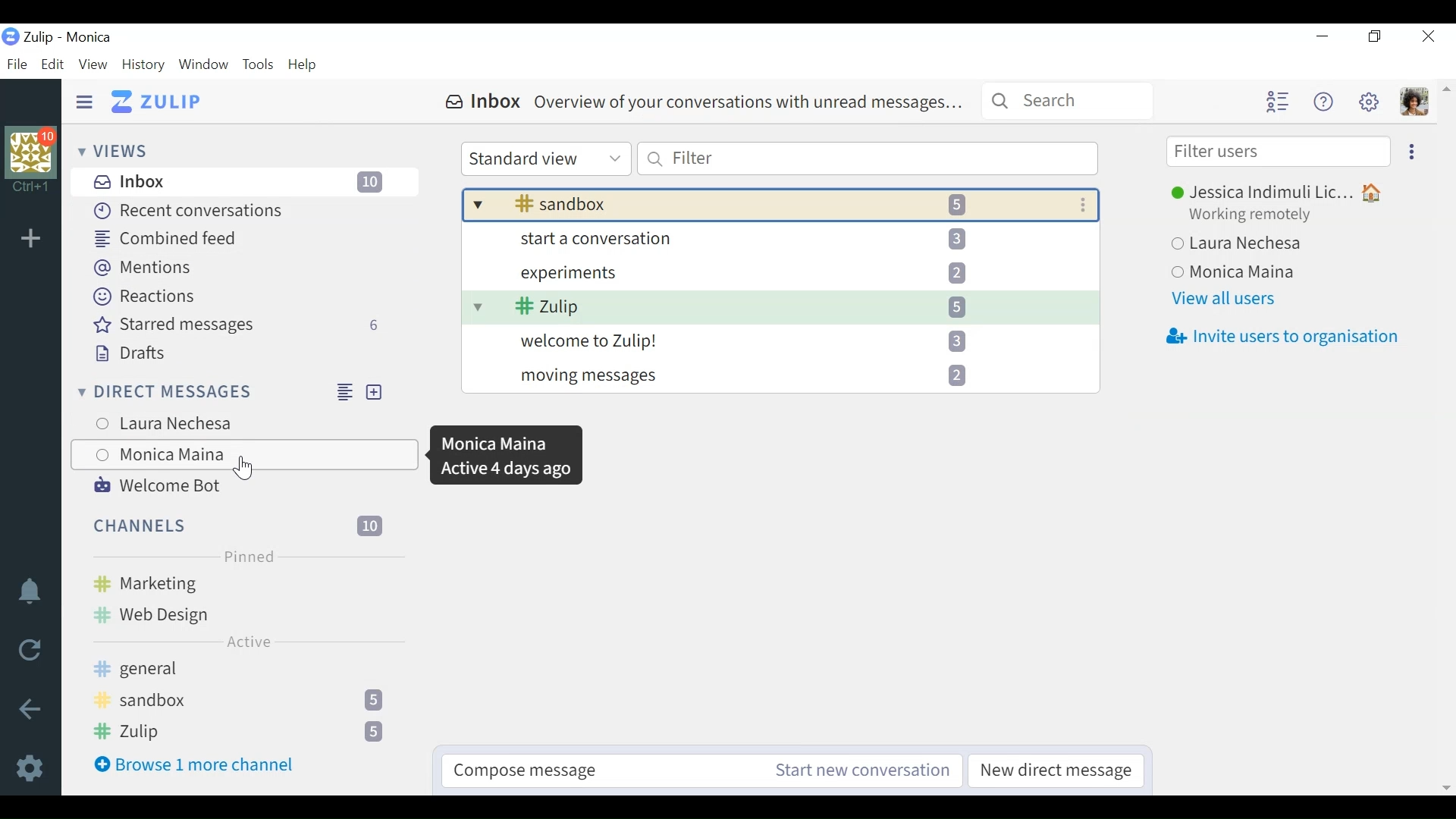  I want to click on Settings, so click(31, 767).